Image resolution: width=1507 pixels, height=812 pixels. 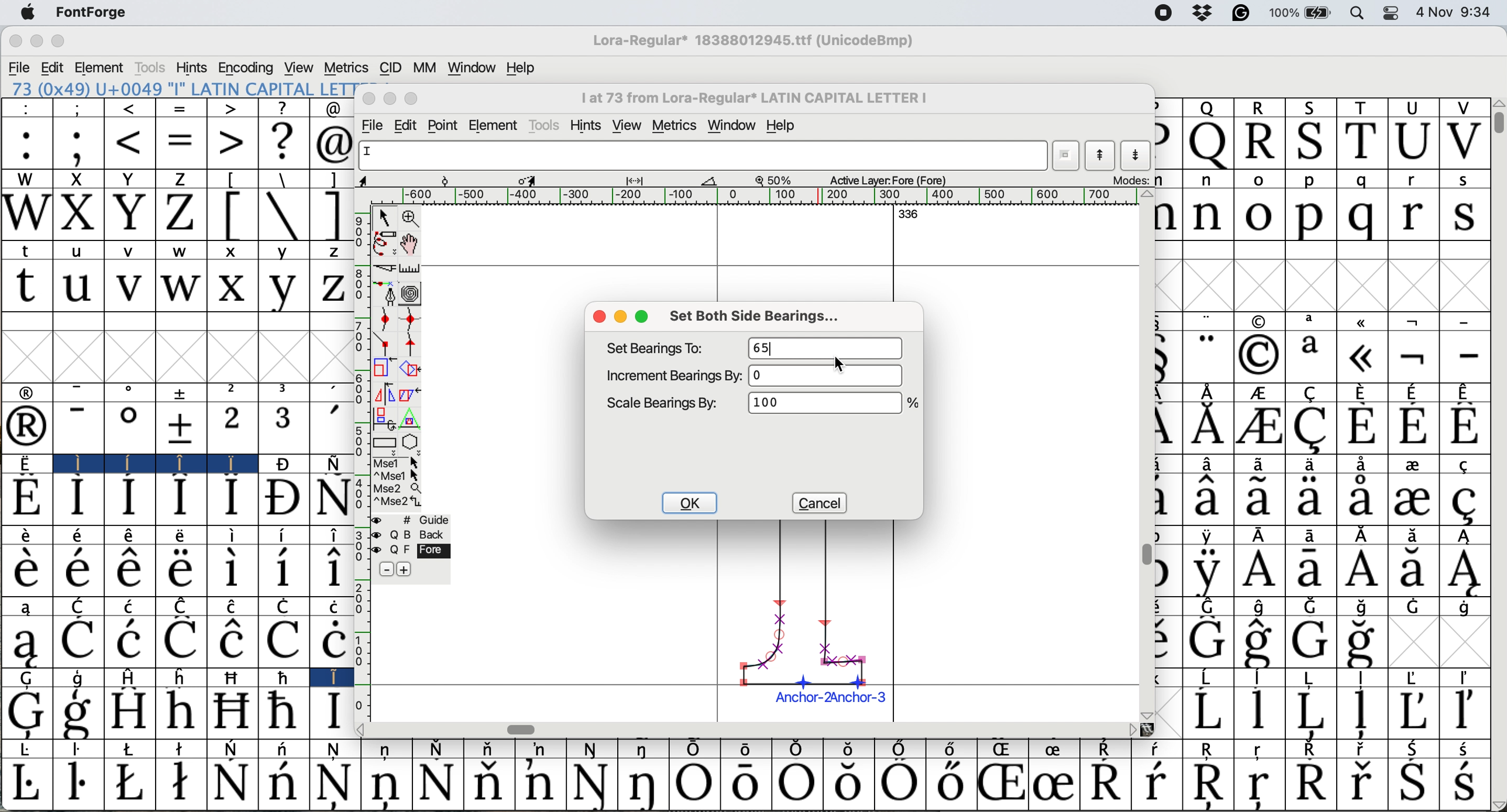 What do you see at coordinates (486, 783) in the screenshot?
I see `Symbol` at bounding box center [486, 783].